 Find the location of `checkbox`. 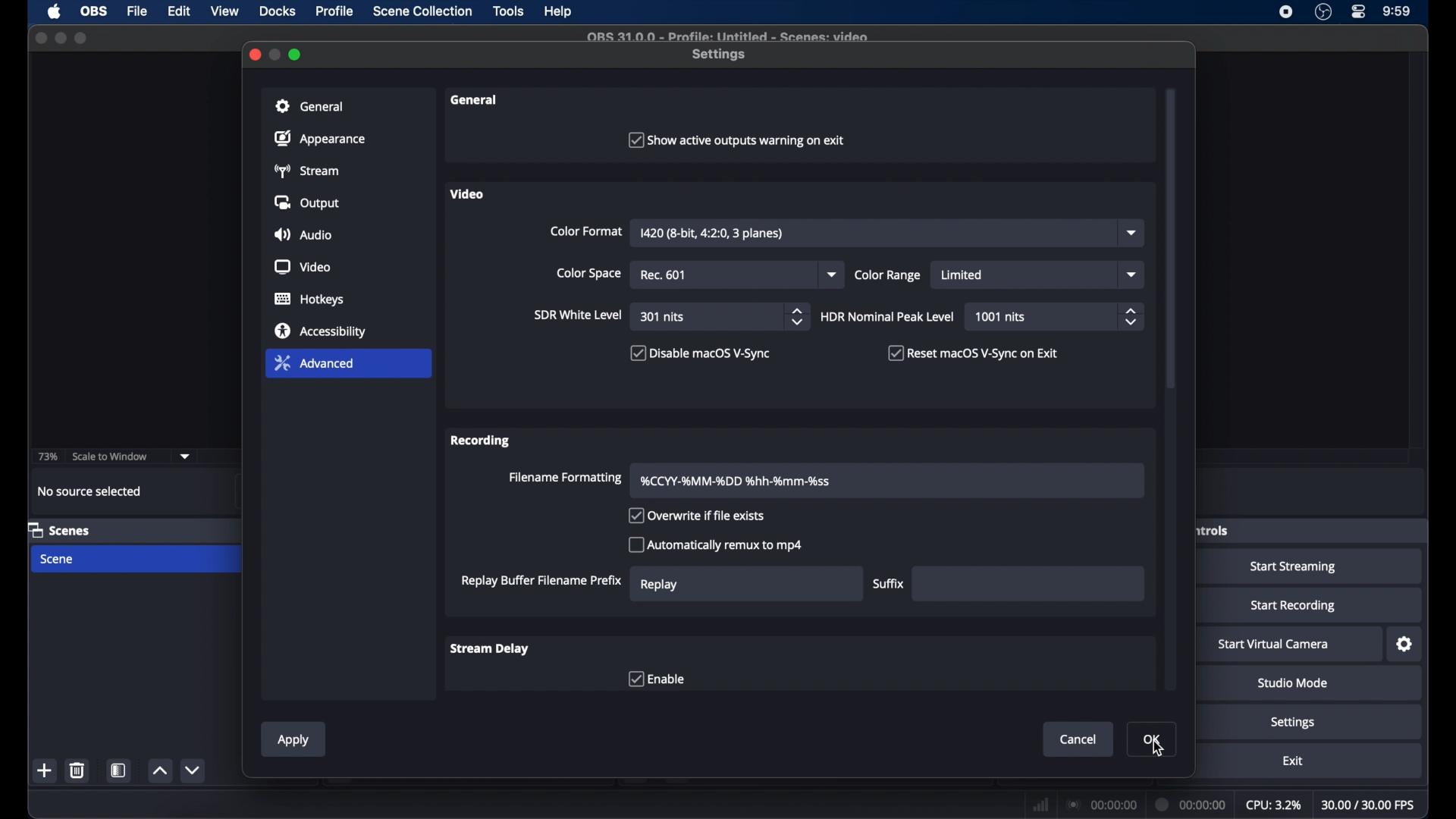

checkbox is located at coordinates (734, 139).